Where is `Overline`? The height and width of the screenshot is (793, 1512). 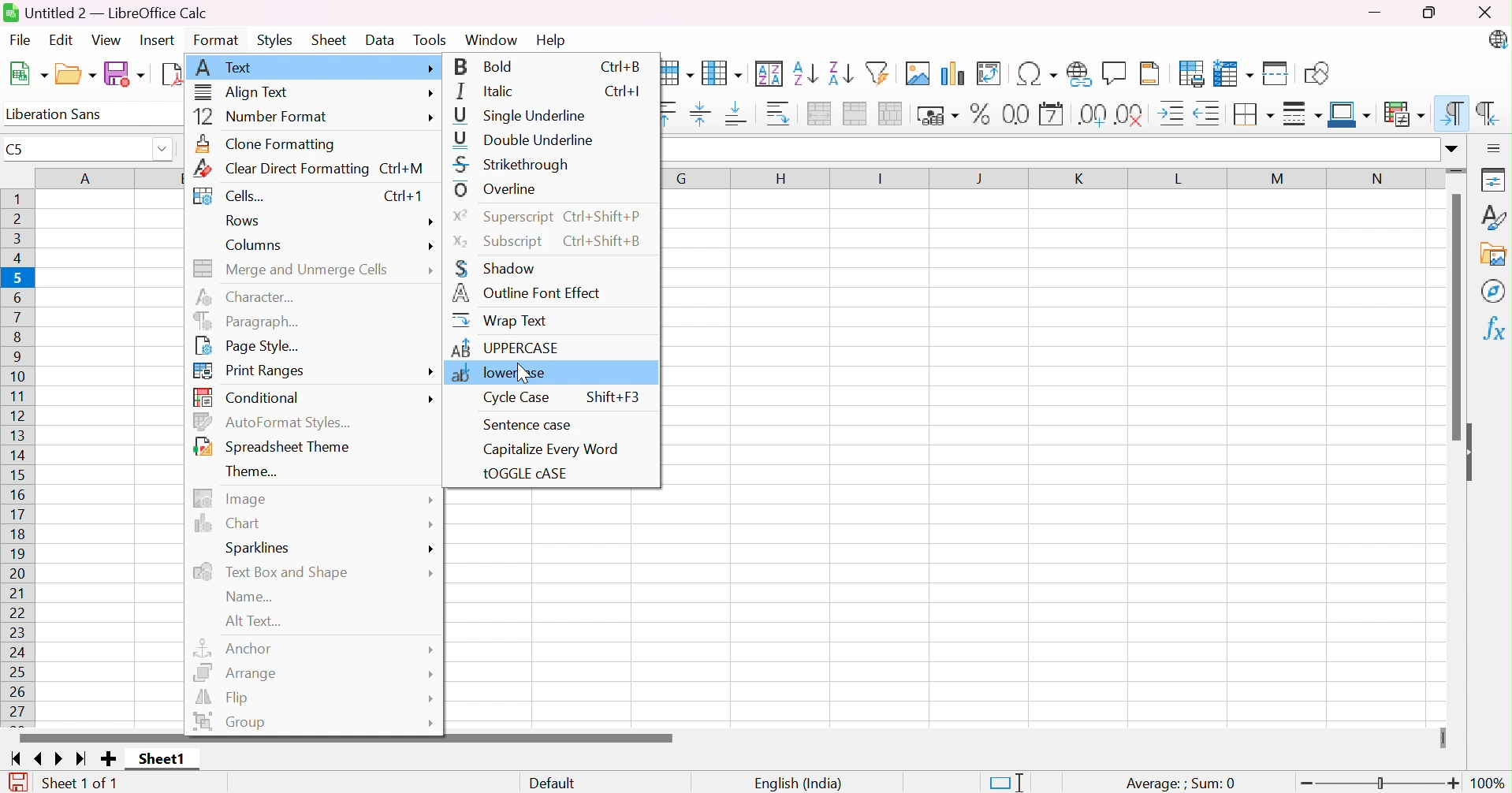
Overline is located at coordinates (497, 189).